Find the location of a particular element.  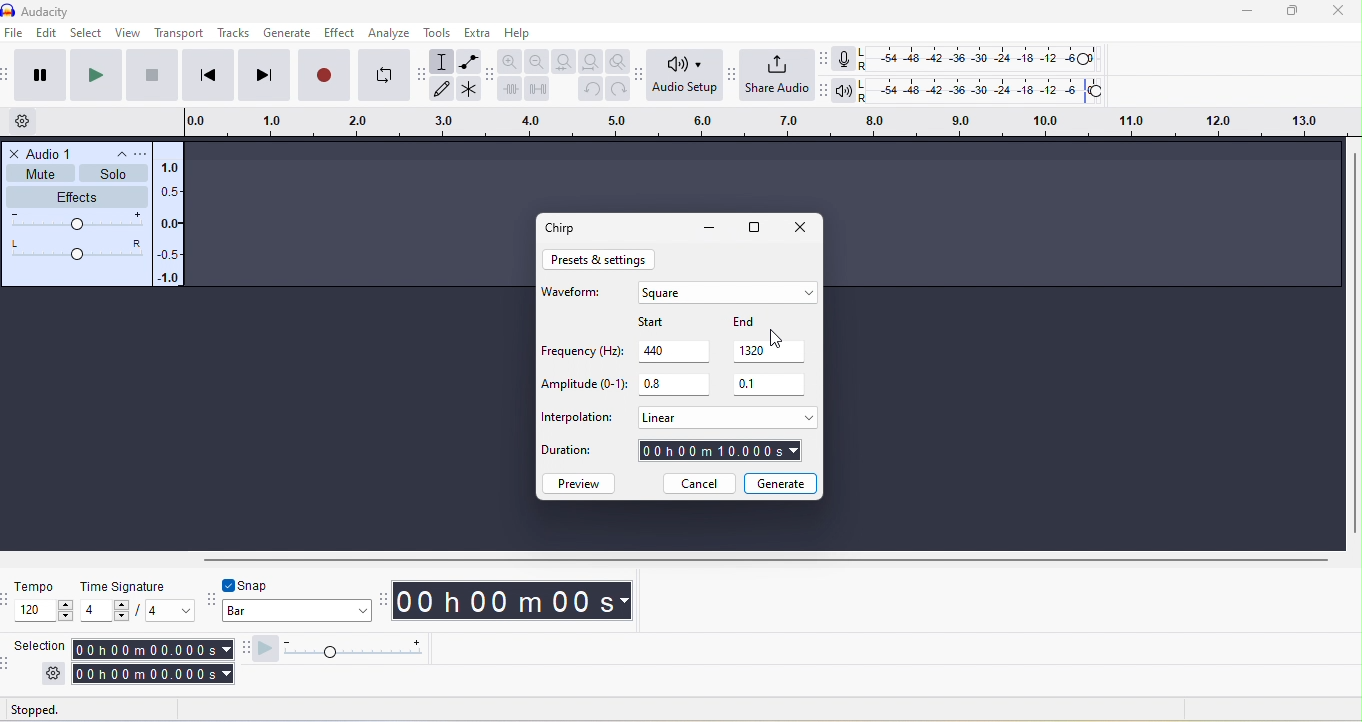

audacity edit toolbar is located at coordinates (491, 74).